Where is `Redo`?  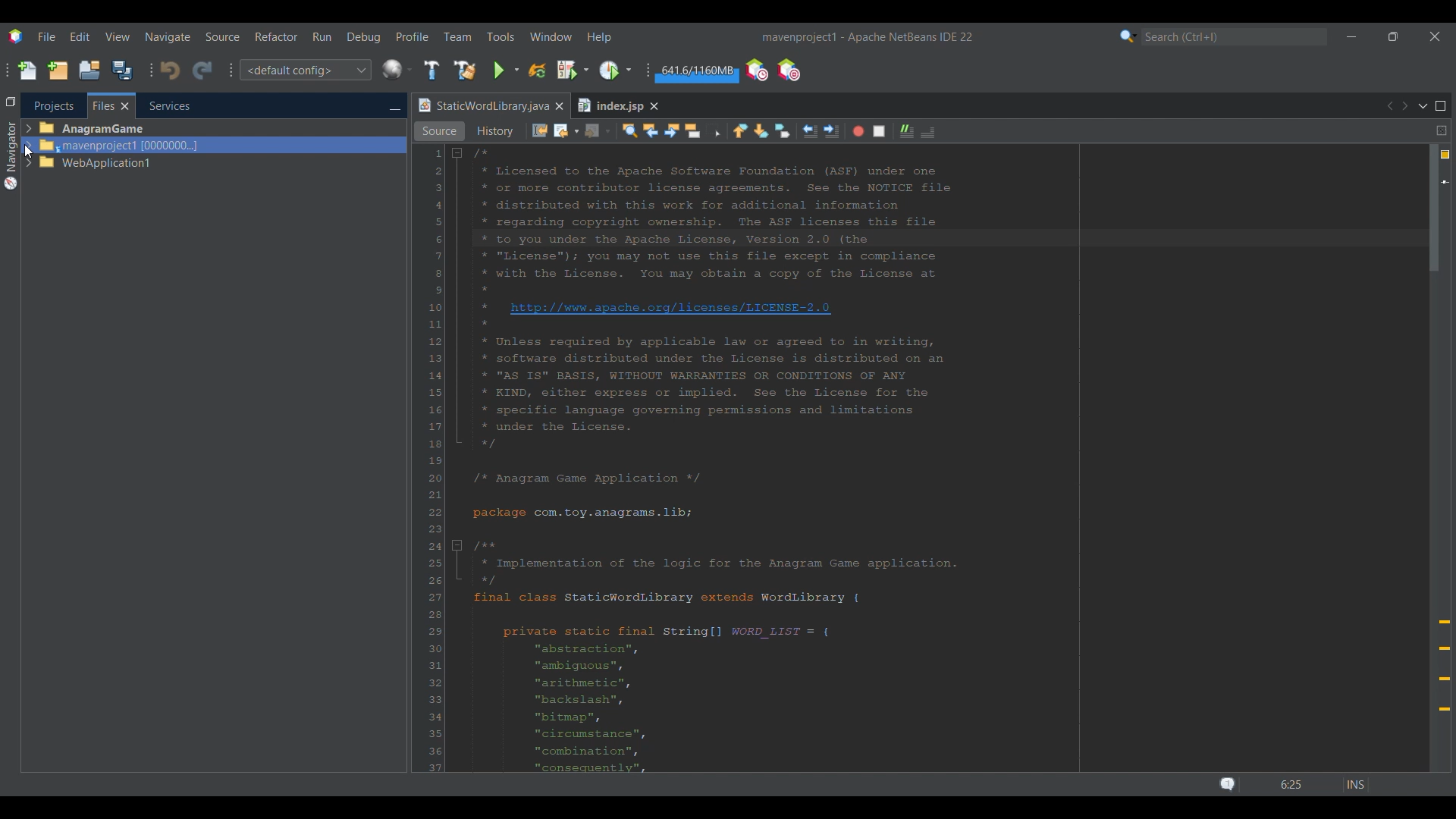
Redo is located at coordinates (202, 71).